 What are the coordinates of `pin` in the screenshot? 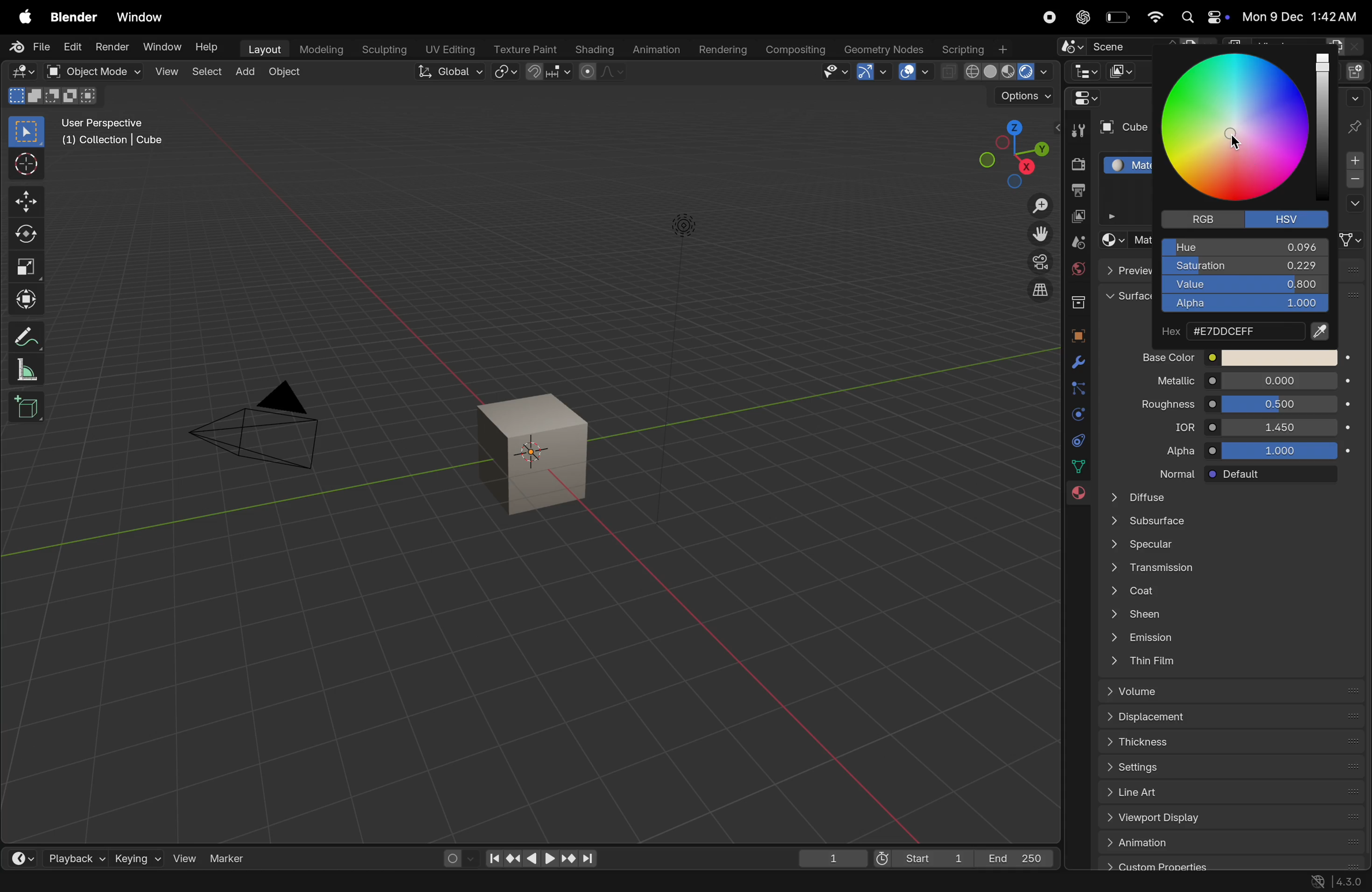 It's located at (1356, 126).